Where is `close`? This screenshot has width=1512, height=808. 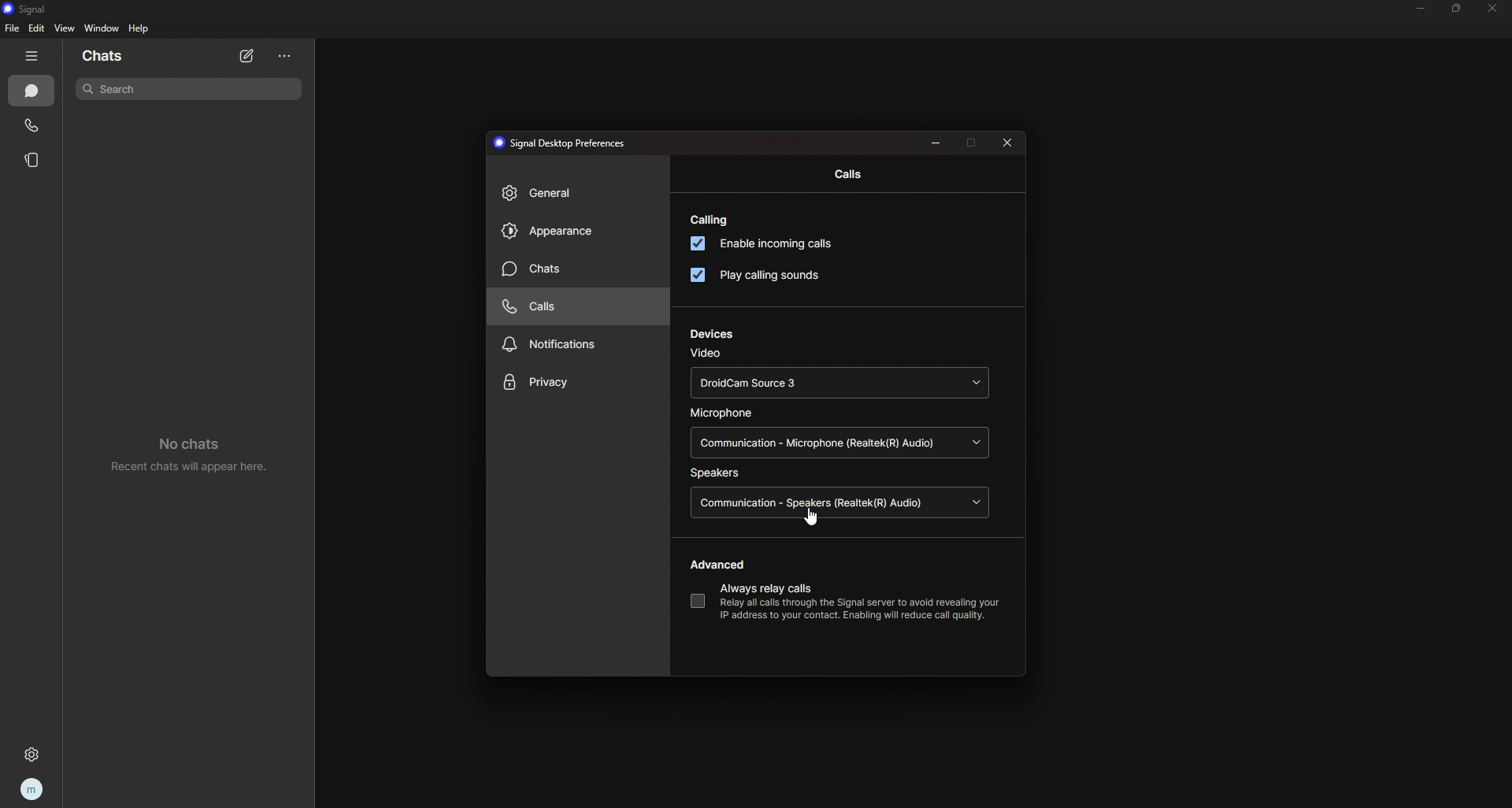 close is located at coordinates (1494, 9).